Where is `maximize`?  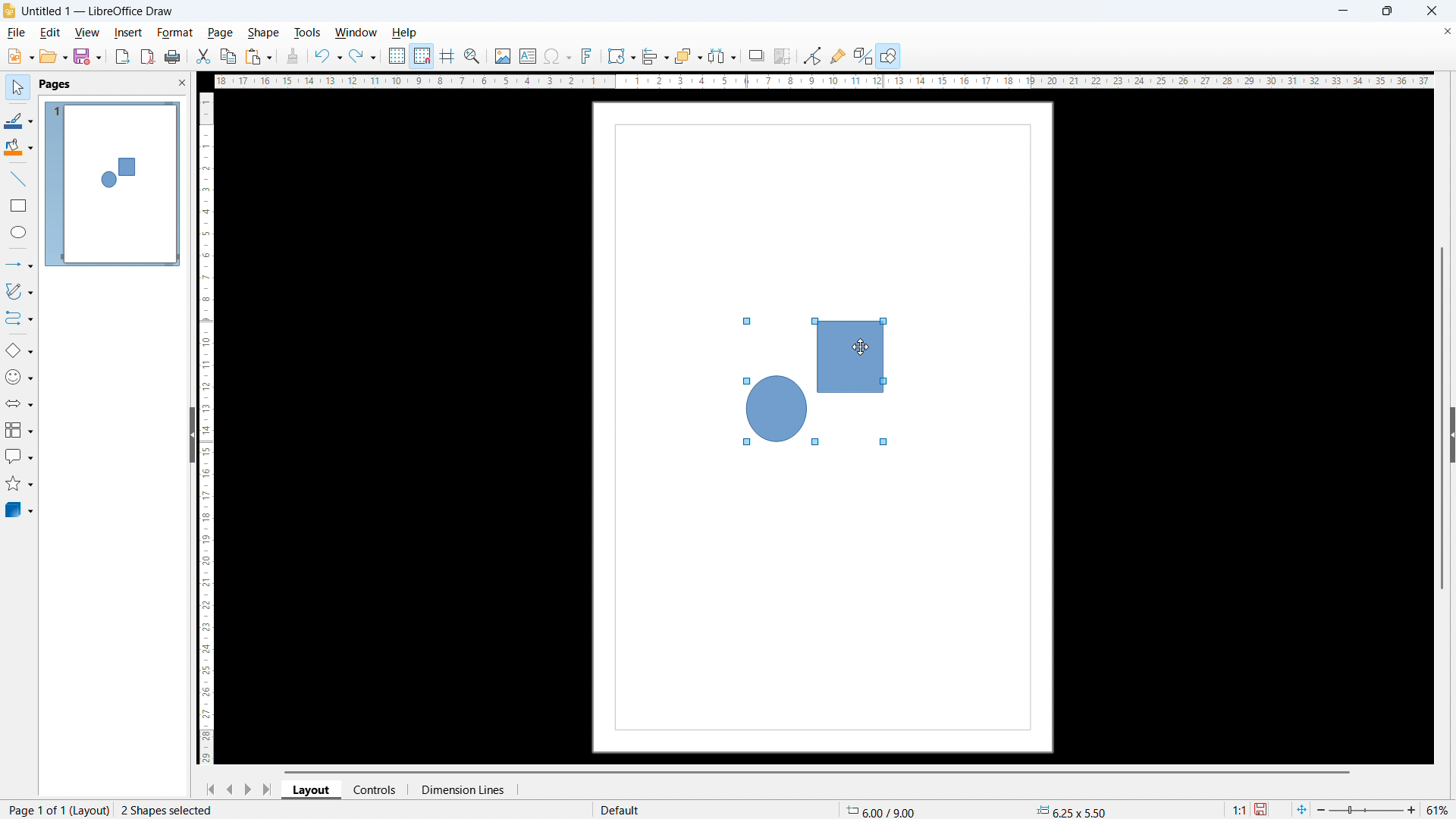
maximize is located at coordinates (1389, 11).